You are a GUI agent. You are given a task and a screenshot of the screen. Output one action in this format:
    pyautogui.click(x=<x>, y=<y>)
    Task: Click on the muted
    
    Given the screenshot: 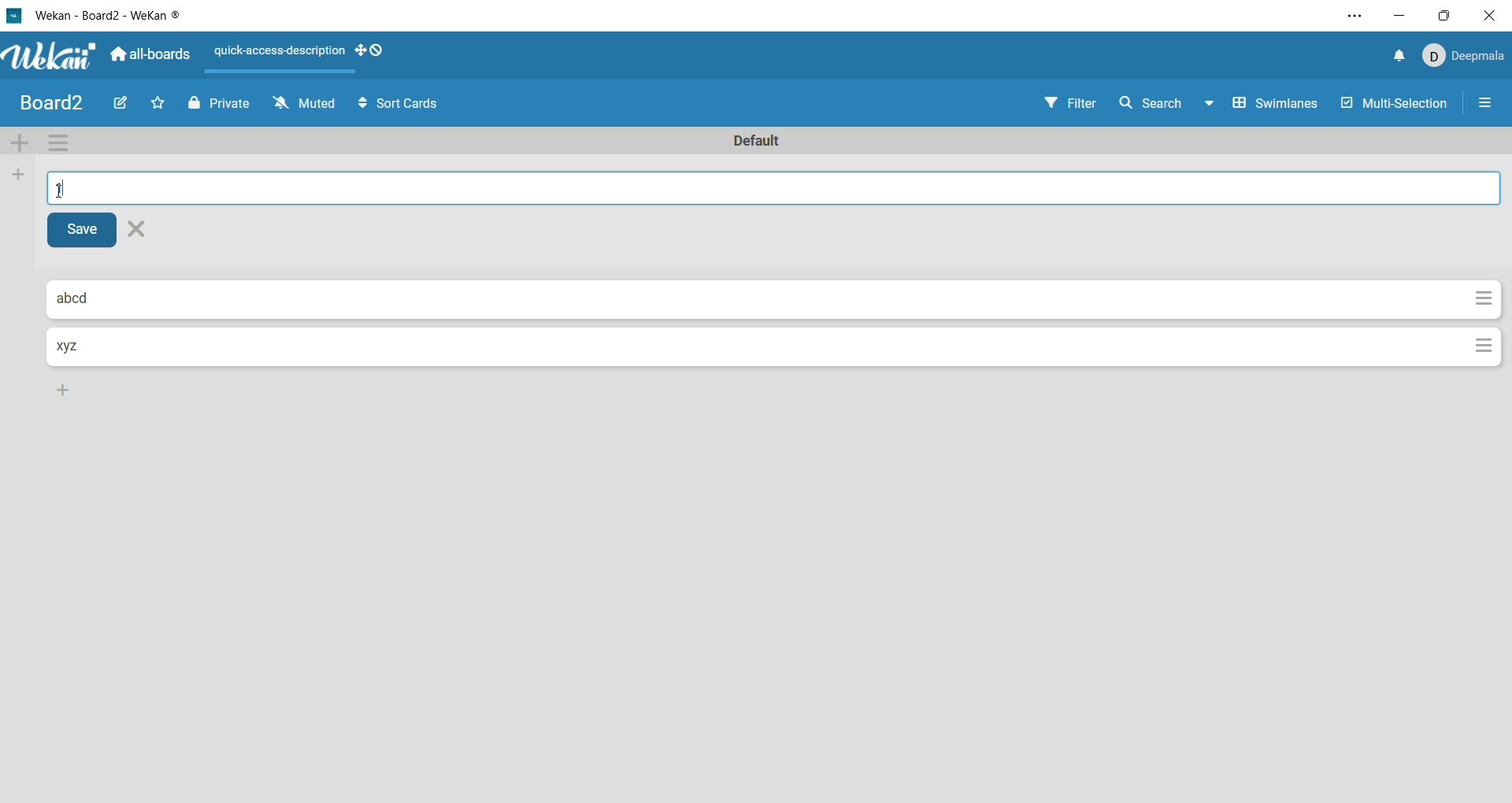 What is the action you would take?
    pyautogui.click(x=301, y=102)
    